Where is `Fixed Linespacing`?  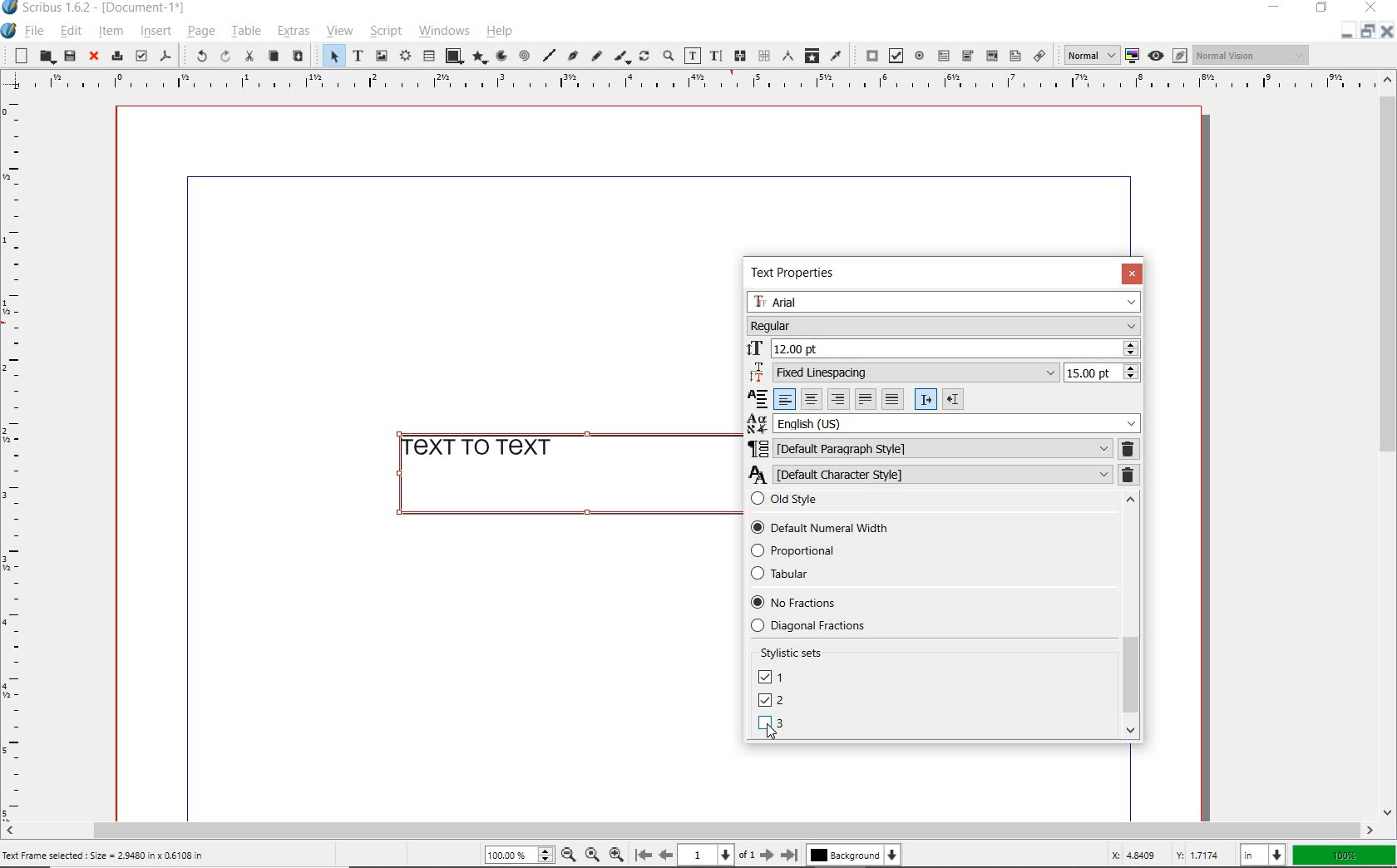 Fixed Linespacing is located at coordinates (902, 372).